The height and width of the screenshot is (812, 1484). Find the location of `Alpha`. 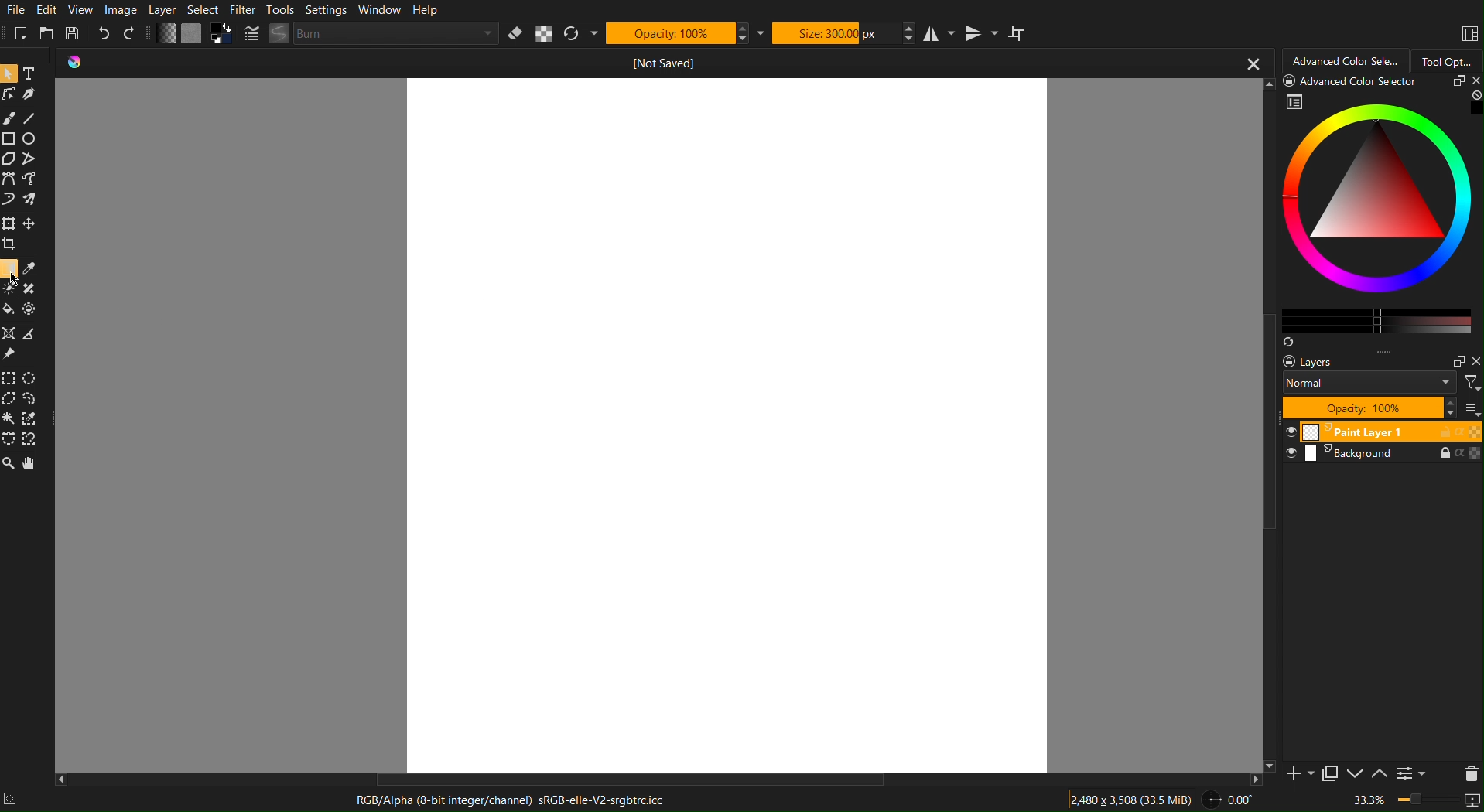

Alpha is located at coordinates (544, 33).